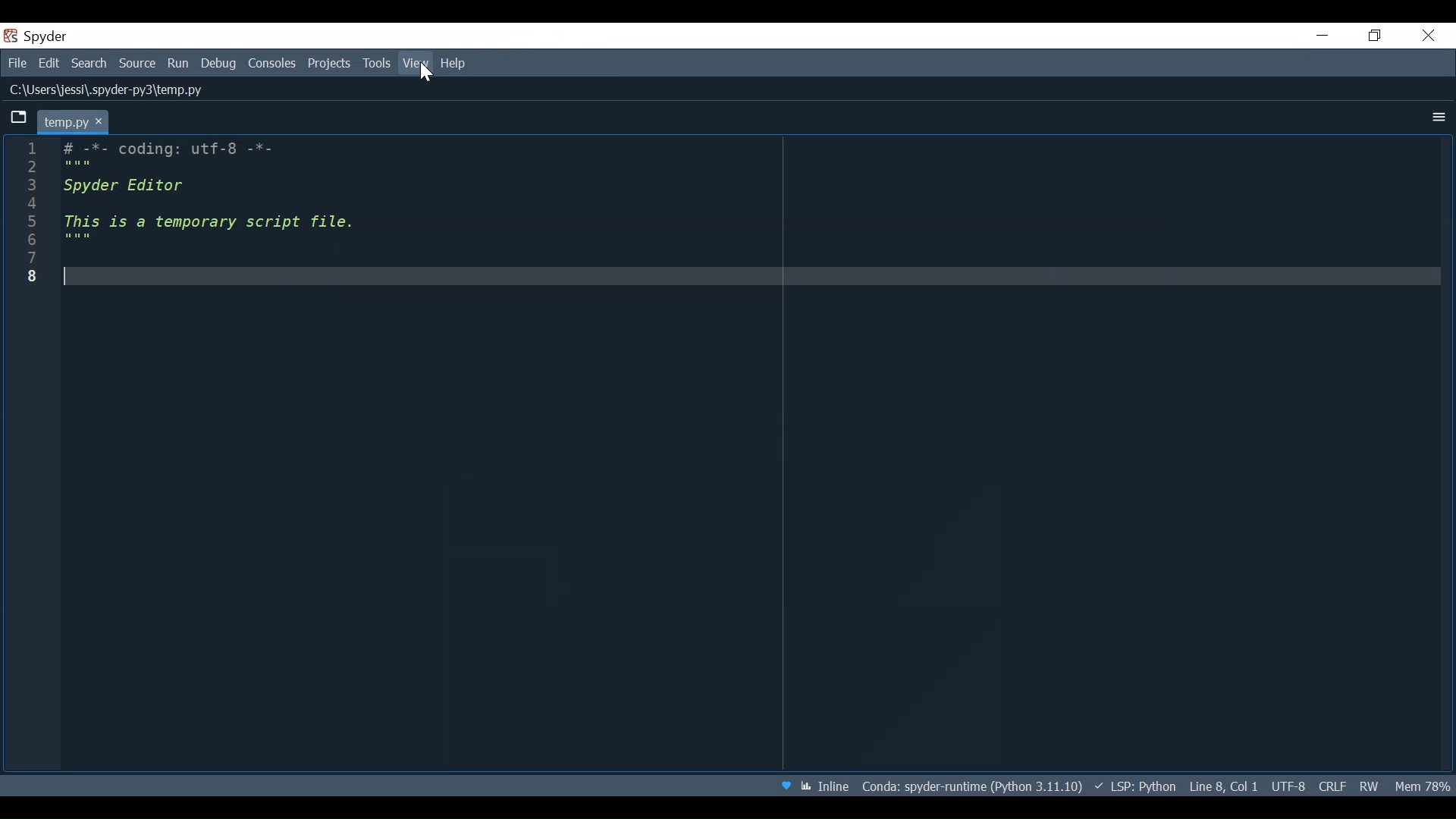 Image resolution: width=1456 pixels, height=819 pixels. Describe the element at coordinates (376, 64) in the screenshot. I see `Tools` at that location.